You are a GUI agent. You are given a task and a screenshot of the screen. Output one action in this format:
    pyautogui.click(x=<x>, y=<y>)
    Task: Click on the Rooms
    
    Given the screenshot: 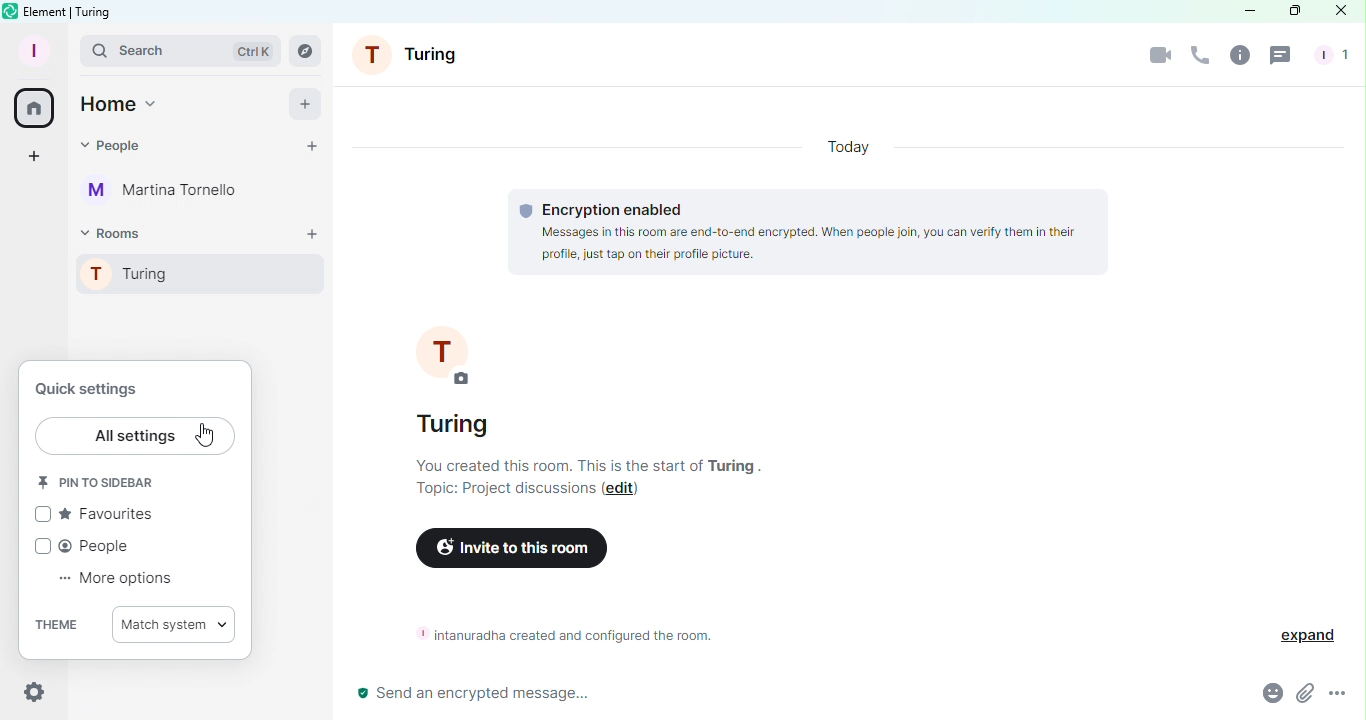 What is the action you would take?
    pyautogui.click(x=308, y=48)
    